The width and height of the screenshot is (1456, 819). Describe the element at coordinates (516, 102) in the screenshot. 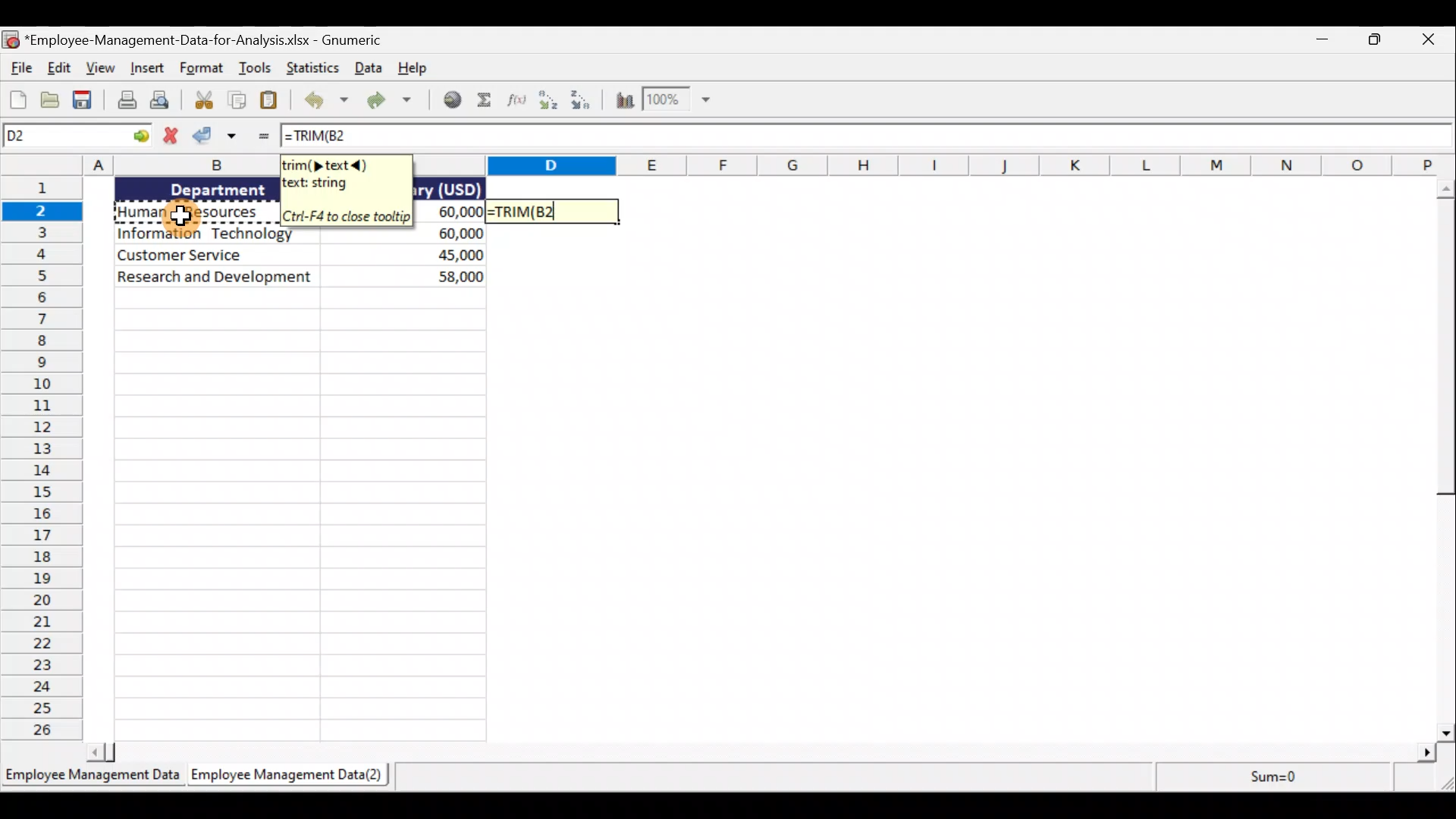

I see `Edit a function in the current cell` at that location.